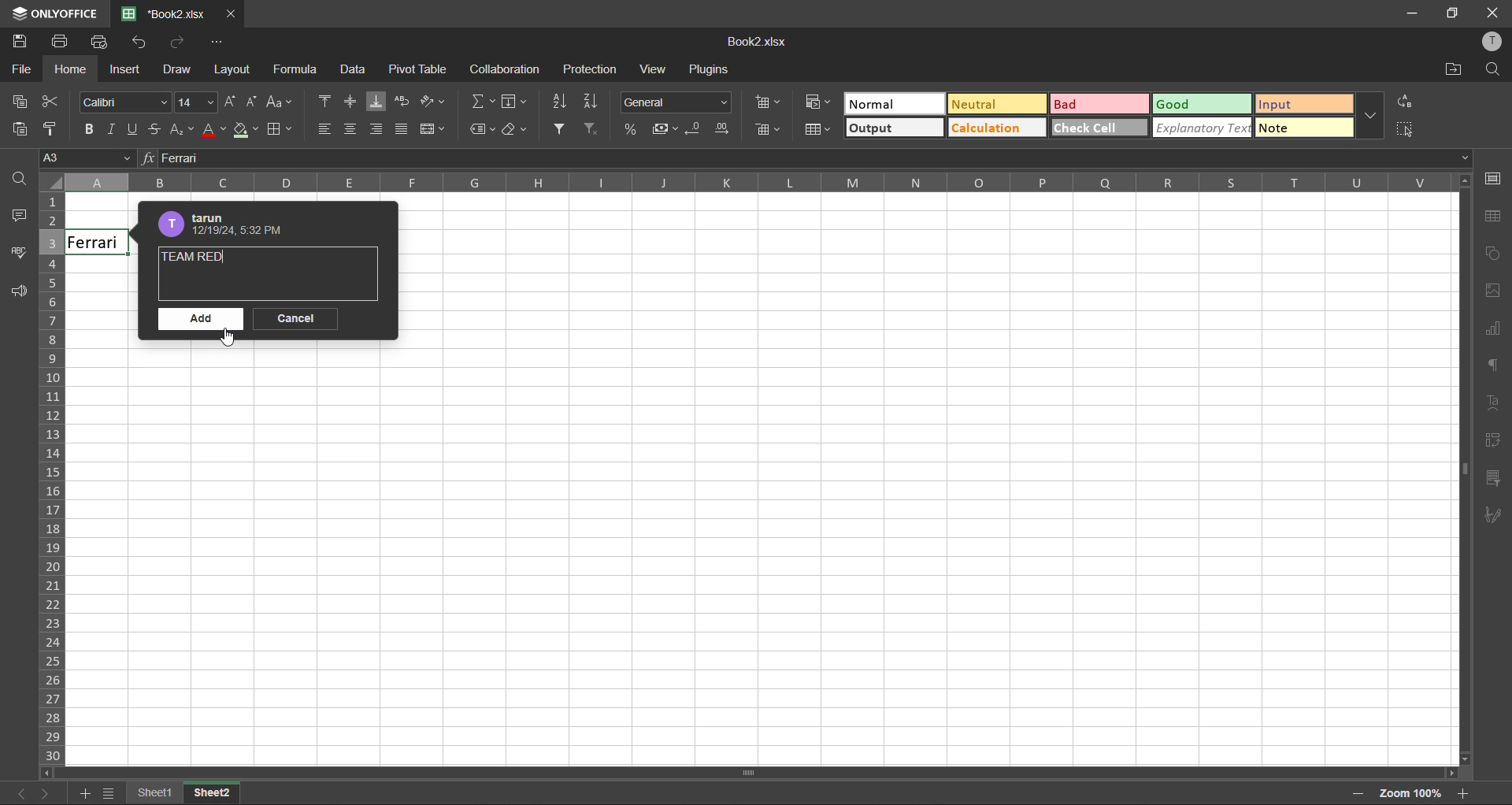  What do you see at coordinates (769, 131) in the screenshot?
I see `delete cells` at bounding box center [769, 131].